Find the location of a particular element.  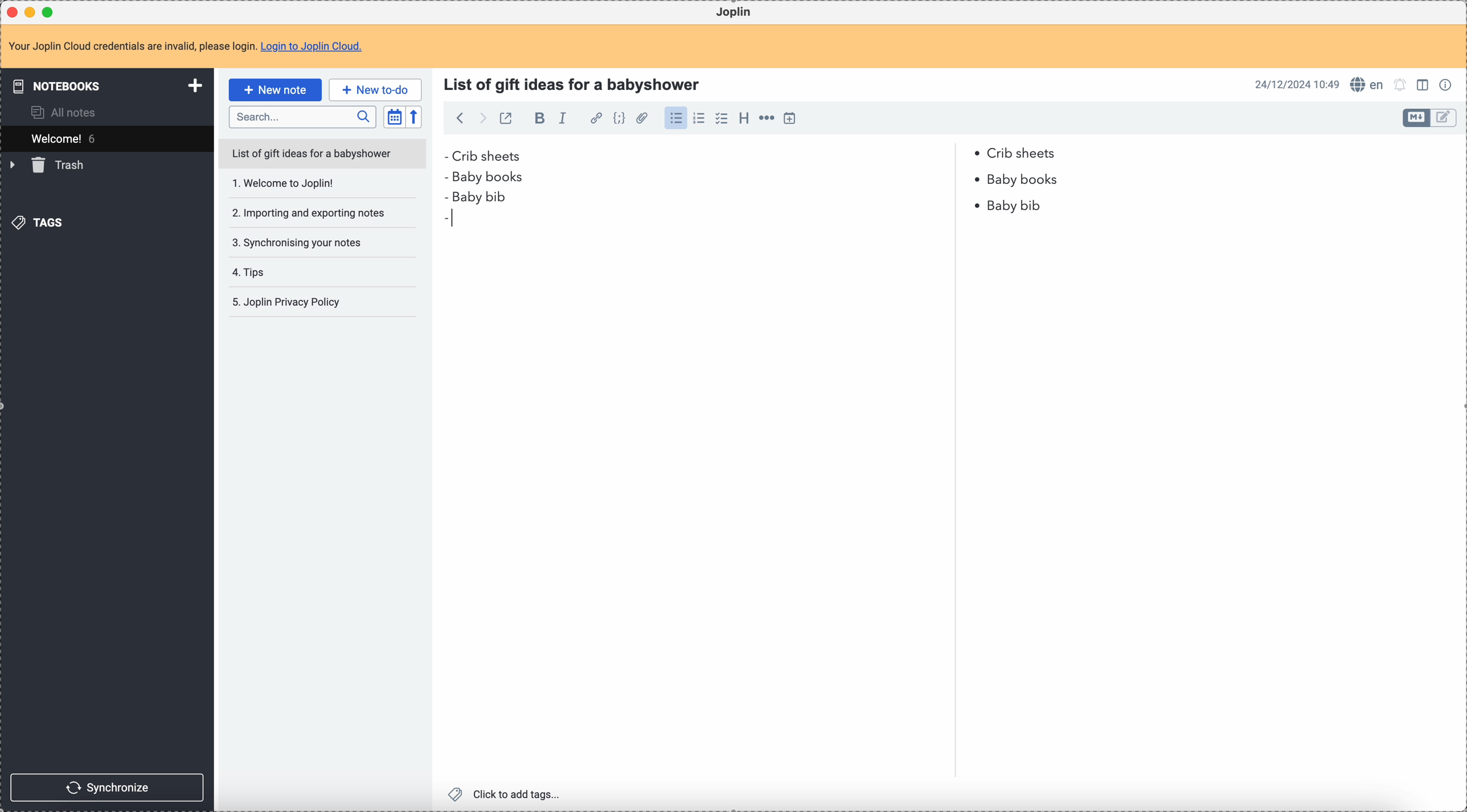

numbered list is located at coordinates (702, 119).